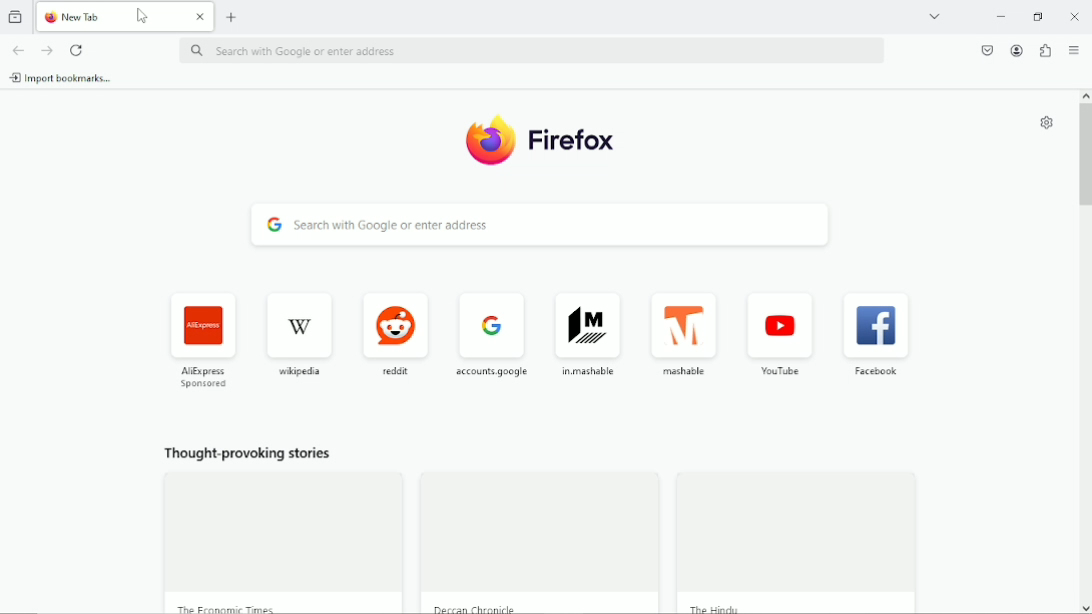  Describe the element at coordinates (782, 338) in the screenshot. I see `YouTube` at that location.